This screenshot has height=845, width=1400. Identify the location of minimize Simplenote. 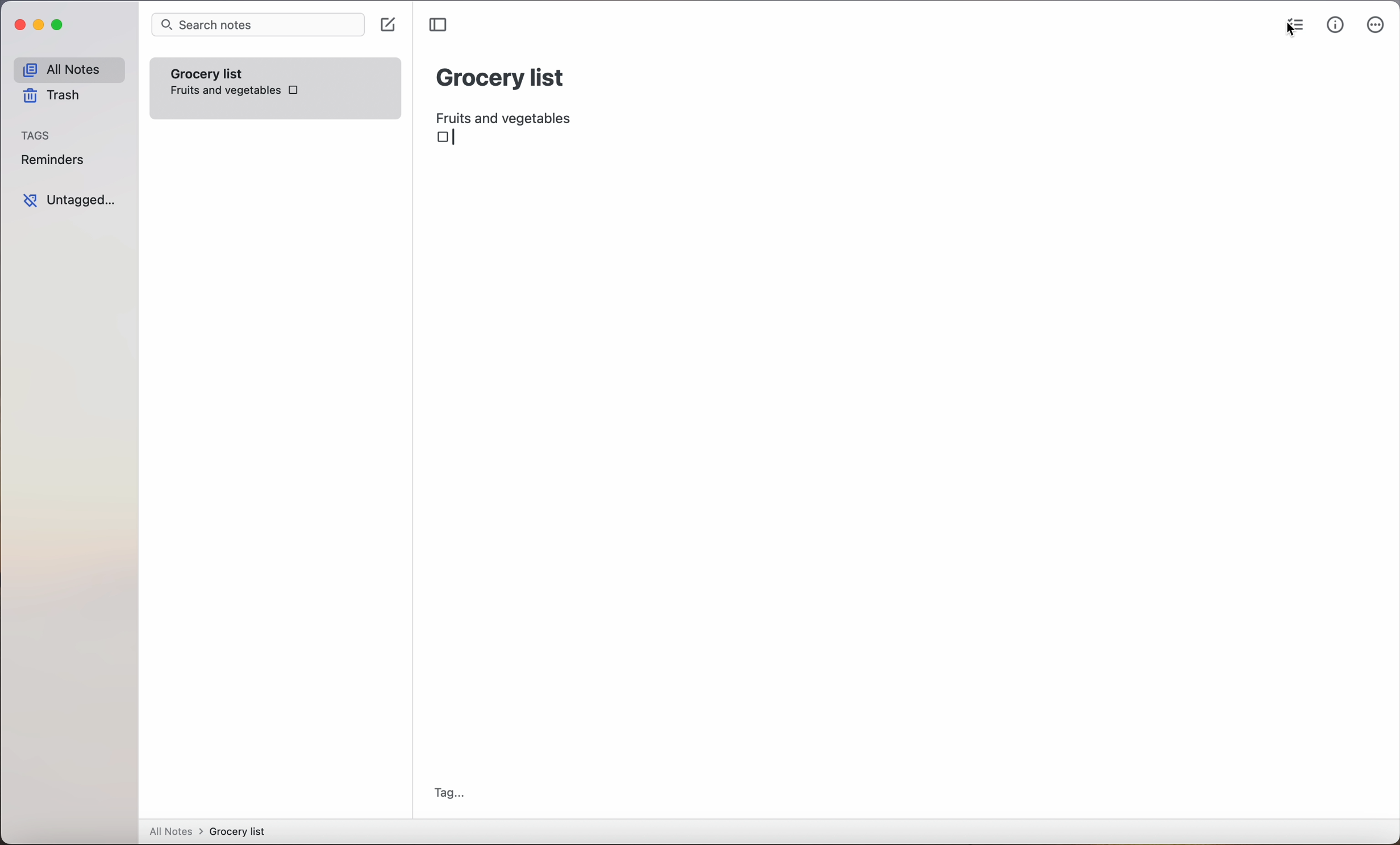
(41, 27).